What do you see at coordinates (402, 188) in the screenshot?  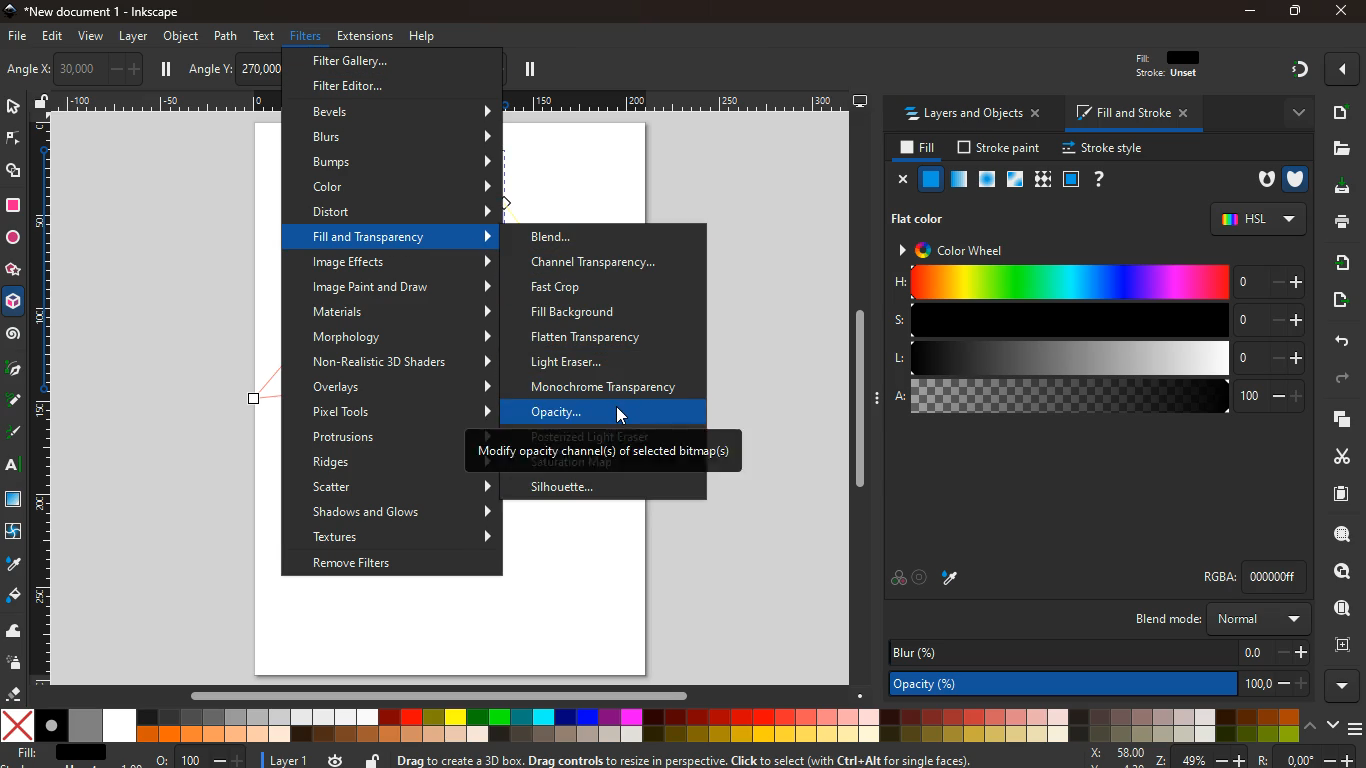 I see `color` at bounding box center [402, 188].